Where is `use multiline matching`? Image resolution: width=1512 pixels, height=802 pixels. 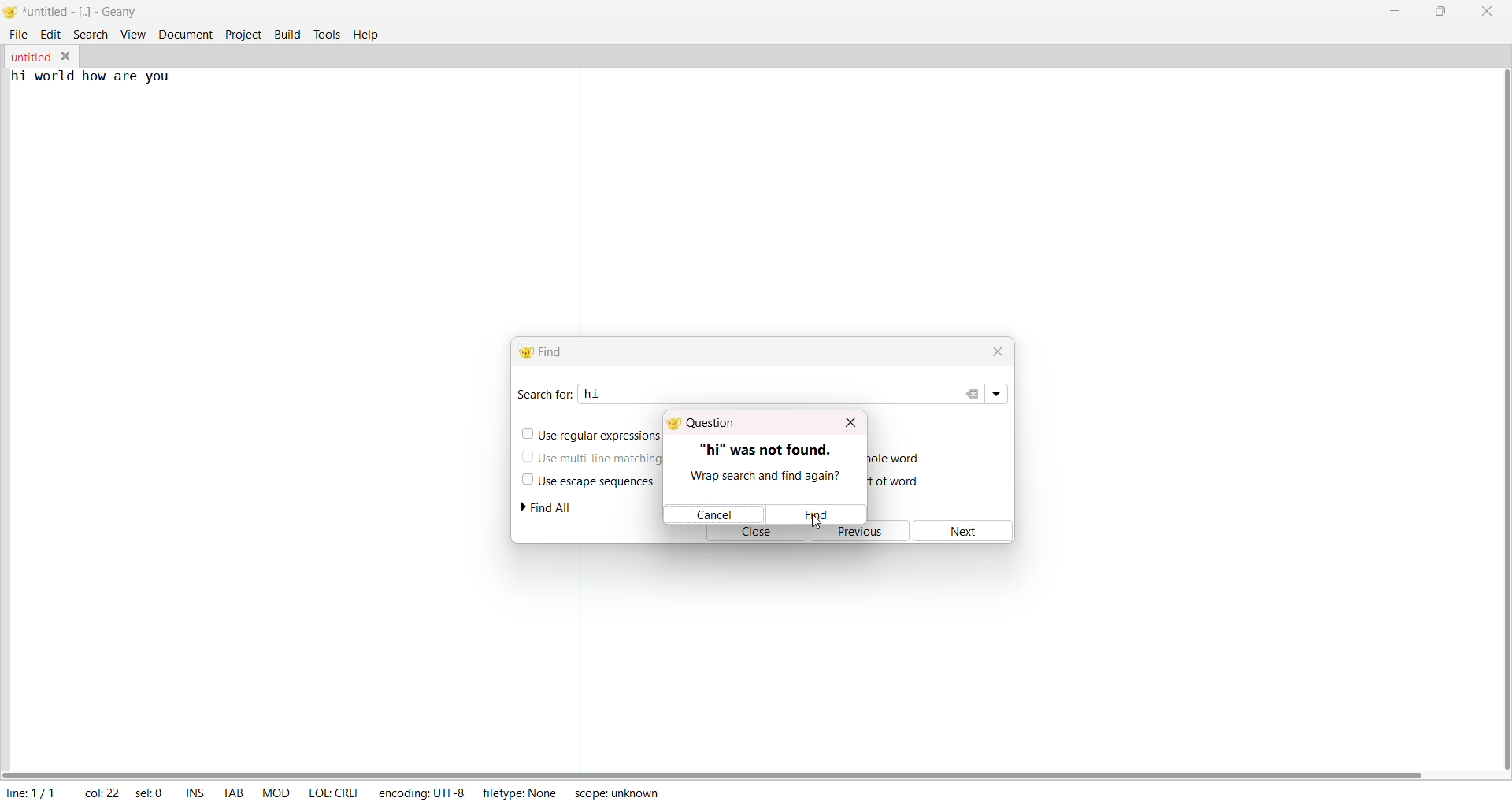
use multiline matching is located at coordinates (588, 459).